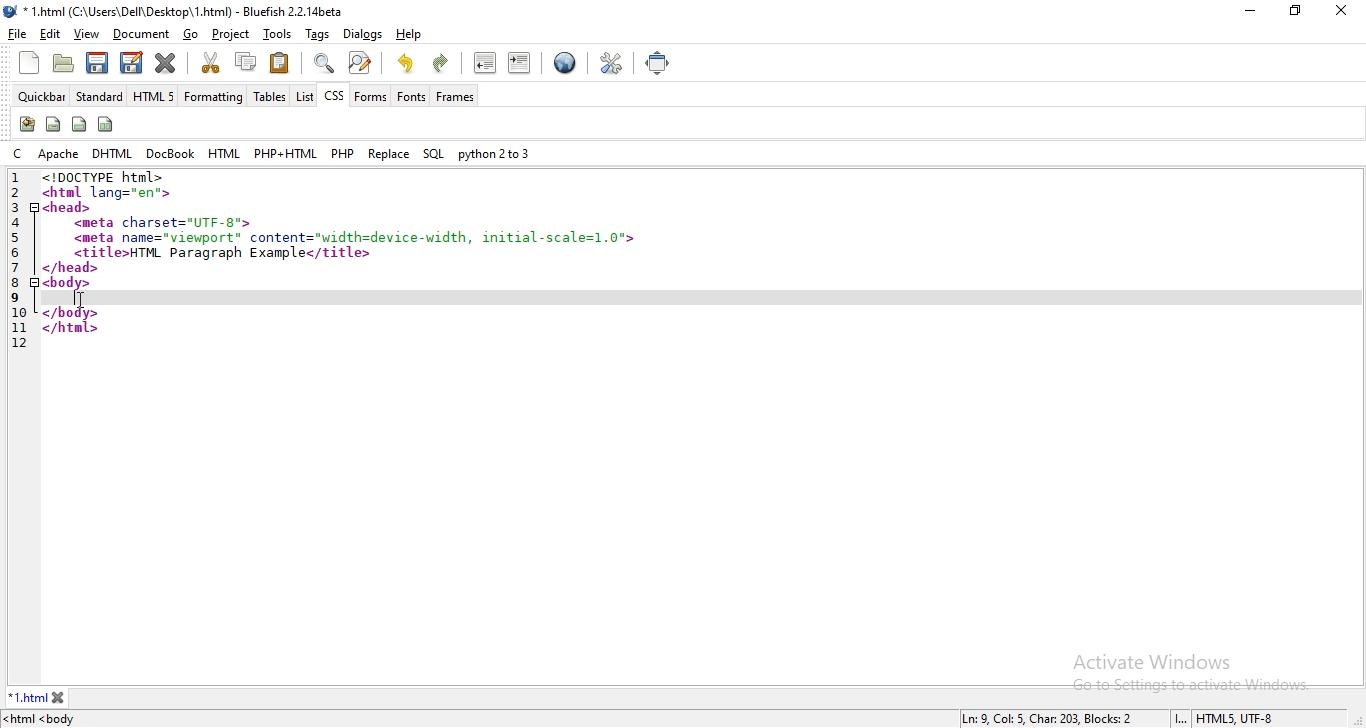  I want to click on list, so click(303, 96).